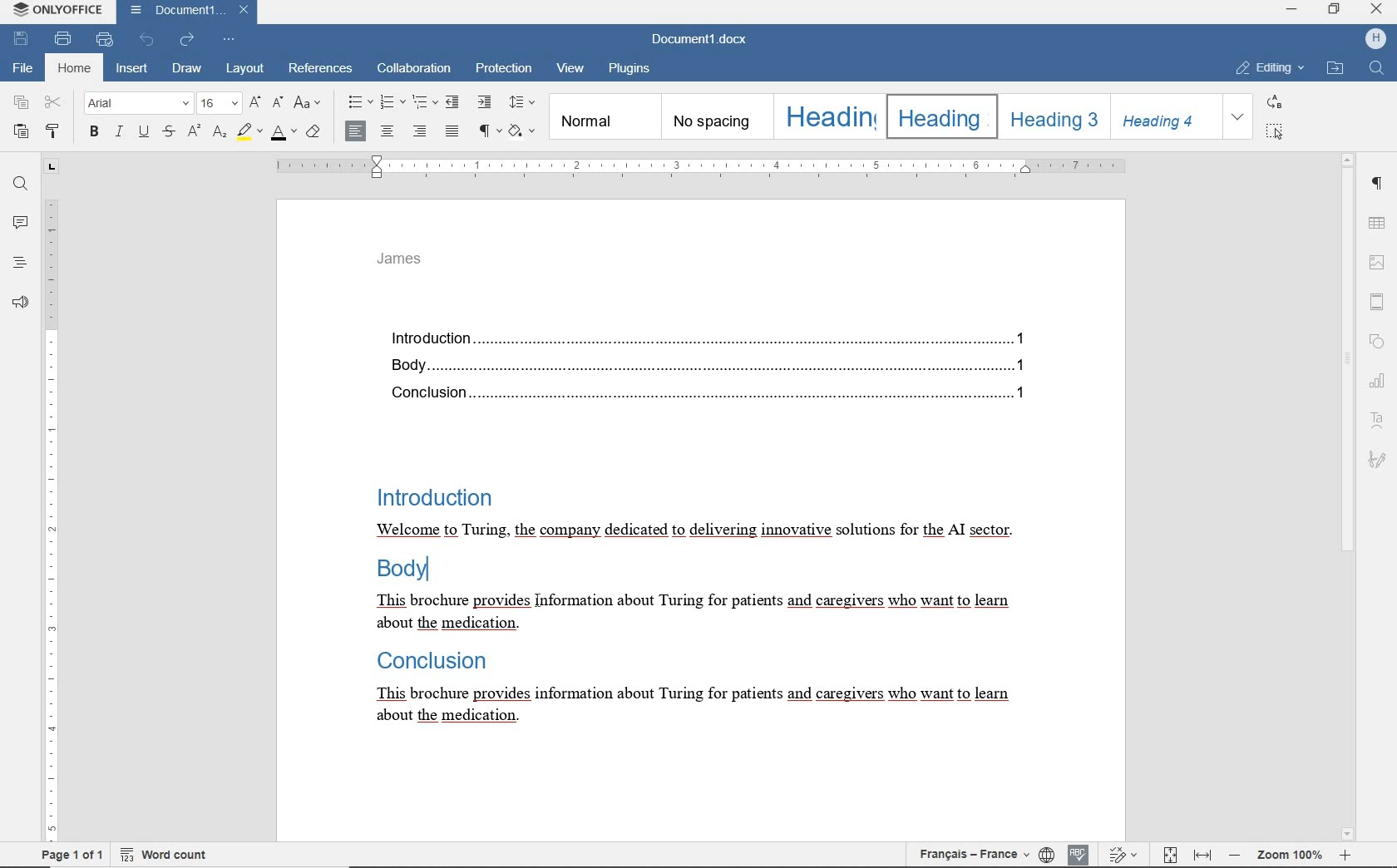 The image size is (1397, 868). What do you see at coordinates (21, 102) in the screenshot?
I see `COPY` at bounding box center [21, 102].